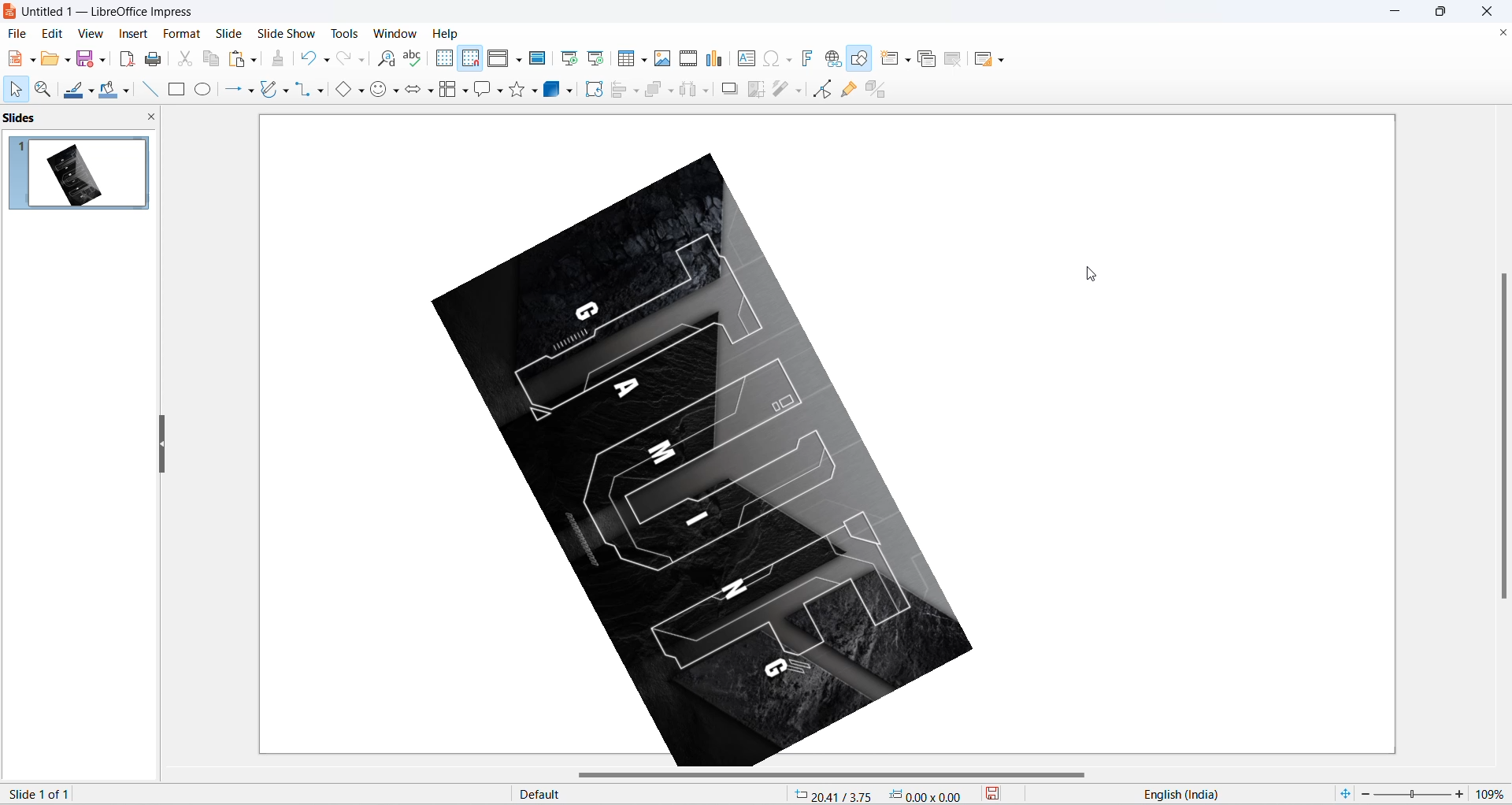  I want to click on star shape, so click(517, 90).